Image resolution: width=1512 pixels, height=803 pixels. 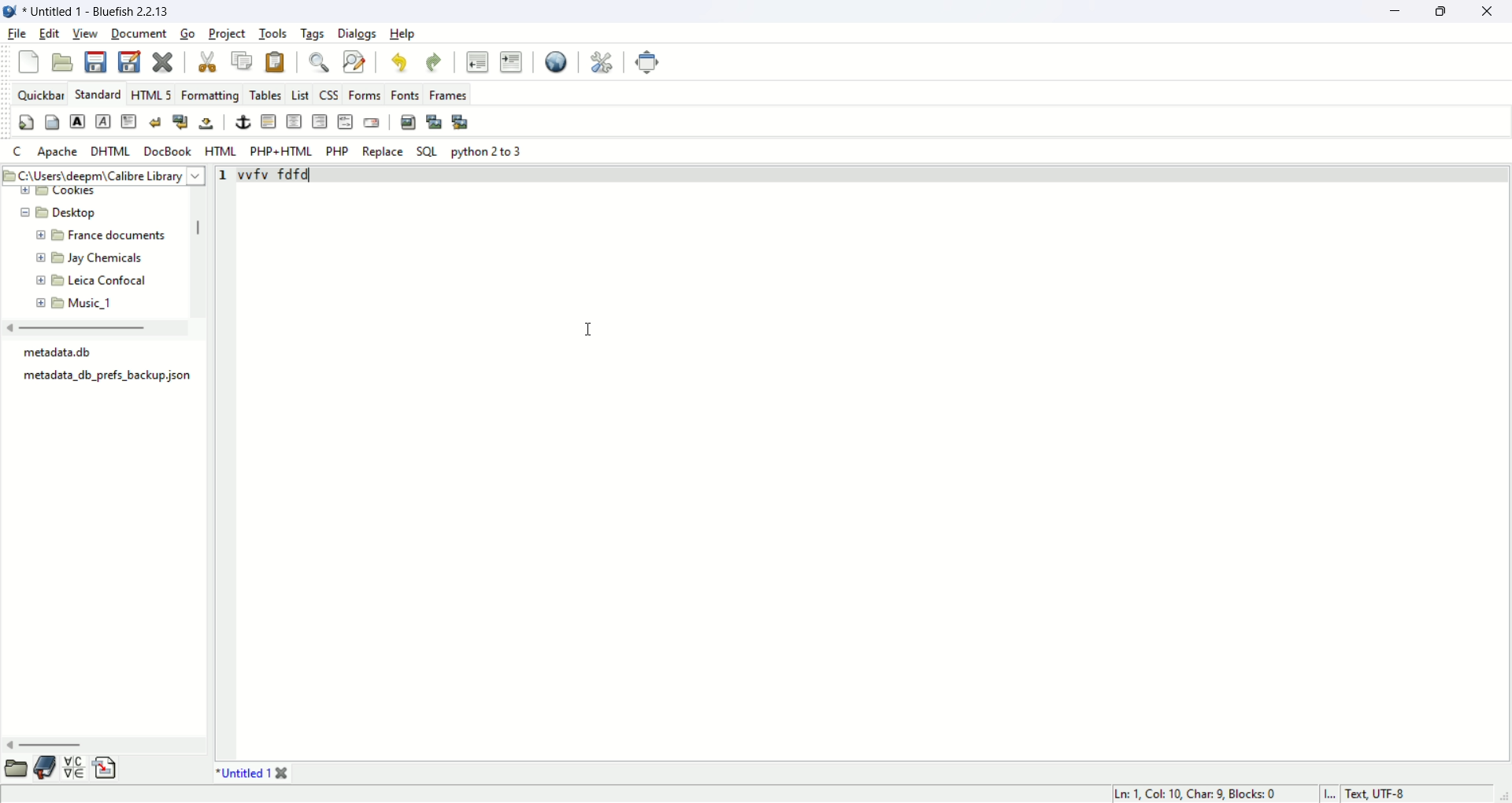 What do you see at coordinates (76, 328) in the screenshot?
I see `horizontal scroll bar` at bounding box center [76, 328].